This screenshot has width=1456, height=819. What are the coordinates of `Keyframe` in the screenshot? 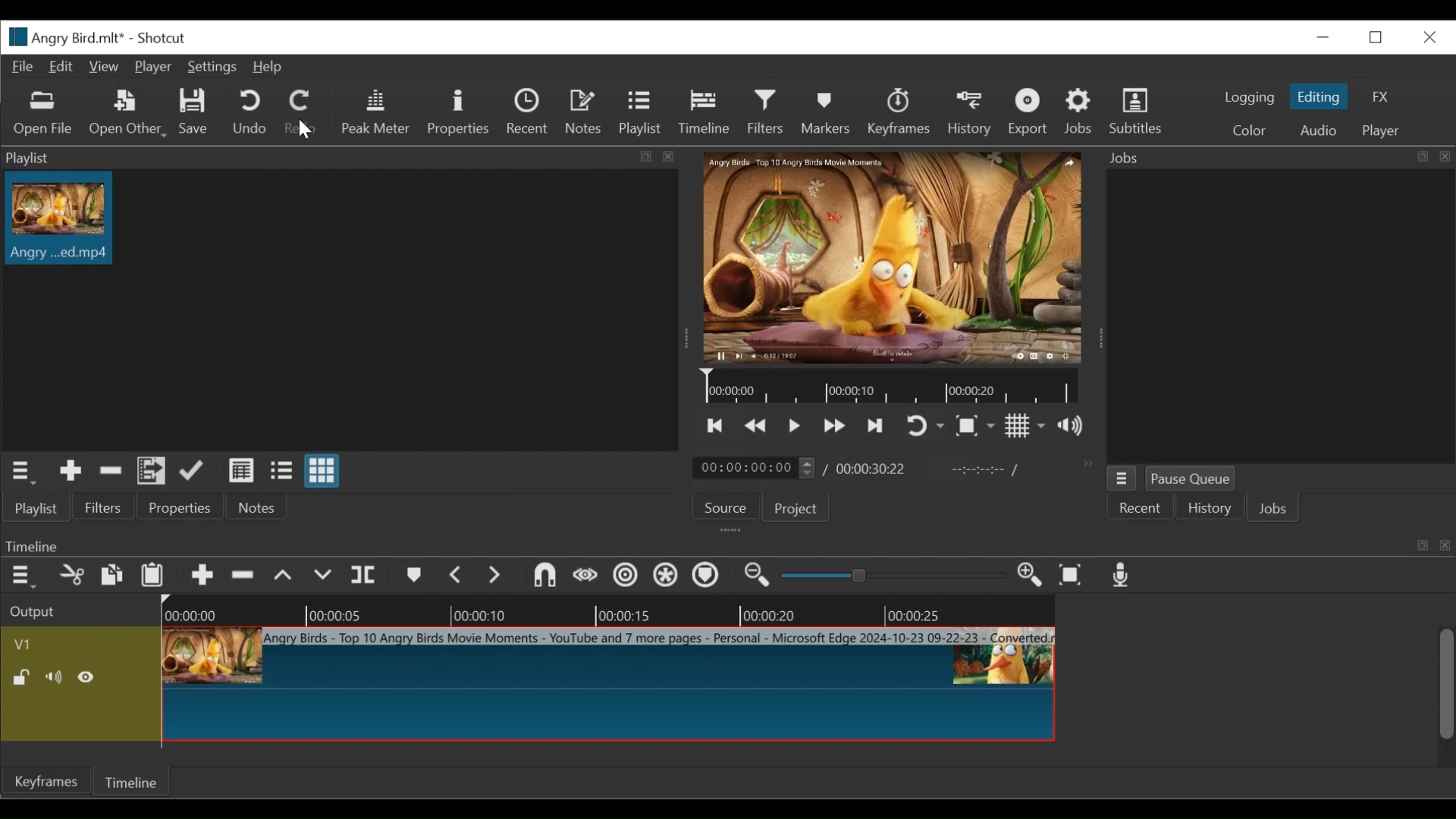 It's located at (45, 783).